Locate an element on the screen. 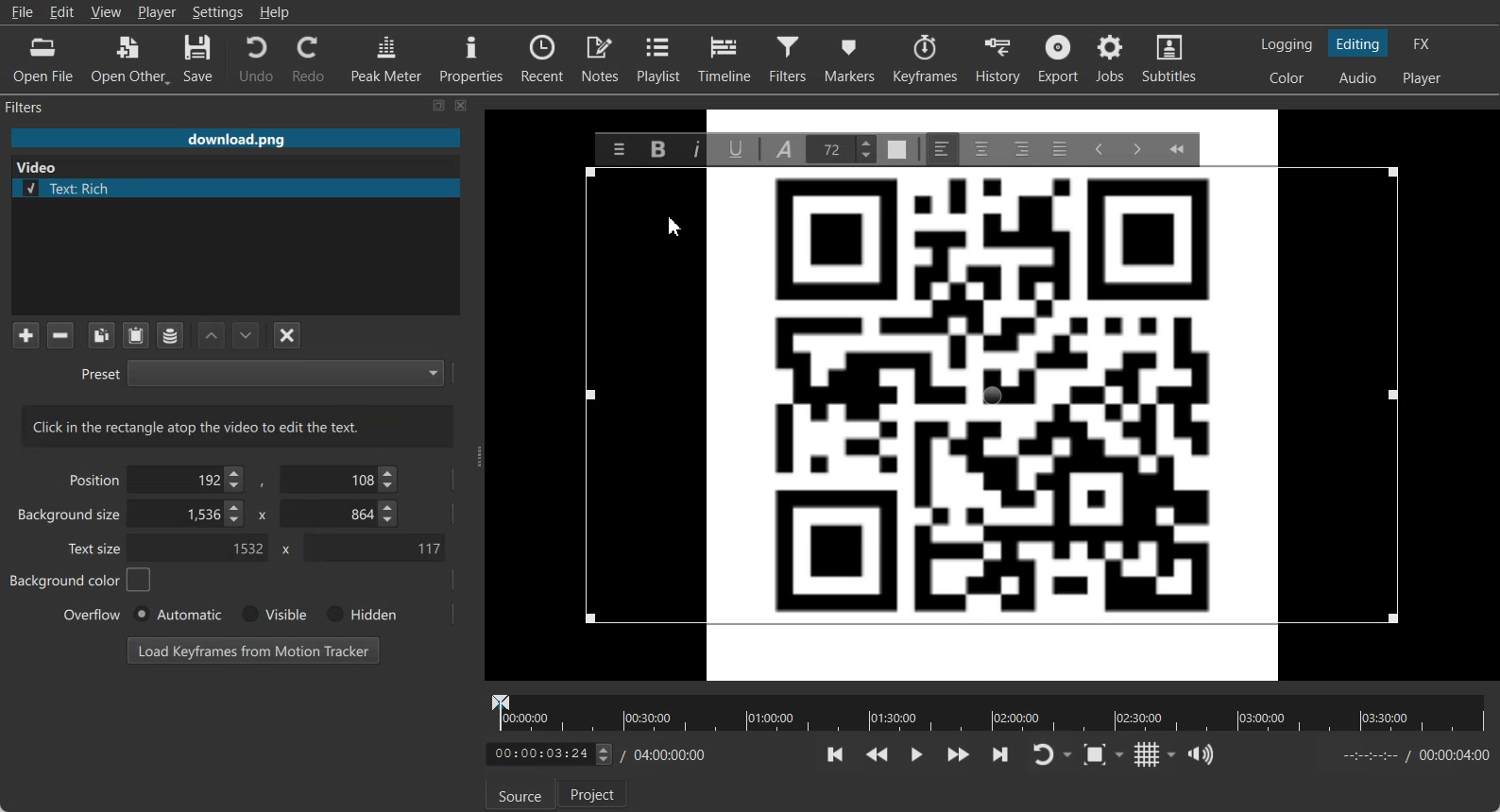  Timeline is located at coordinates (725, 58).